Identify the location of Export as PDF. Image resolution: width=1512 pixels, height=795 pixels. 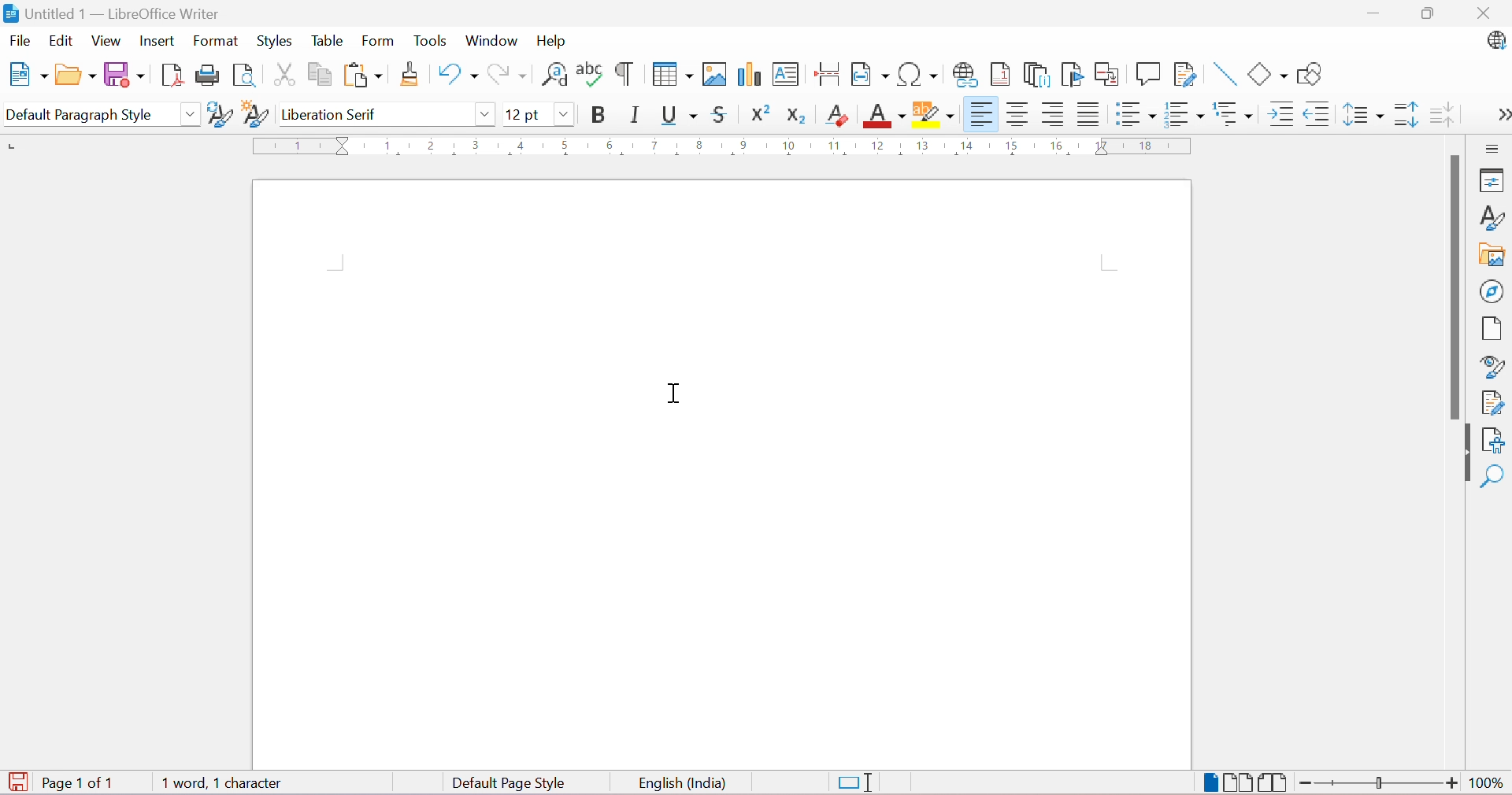
(169, 77).